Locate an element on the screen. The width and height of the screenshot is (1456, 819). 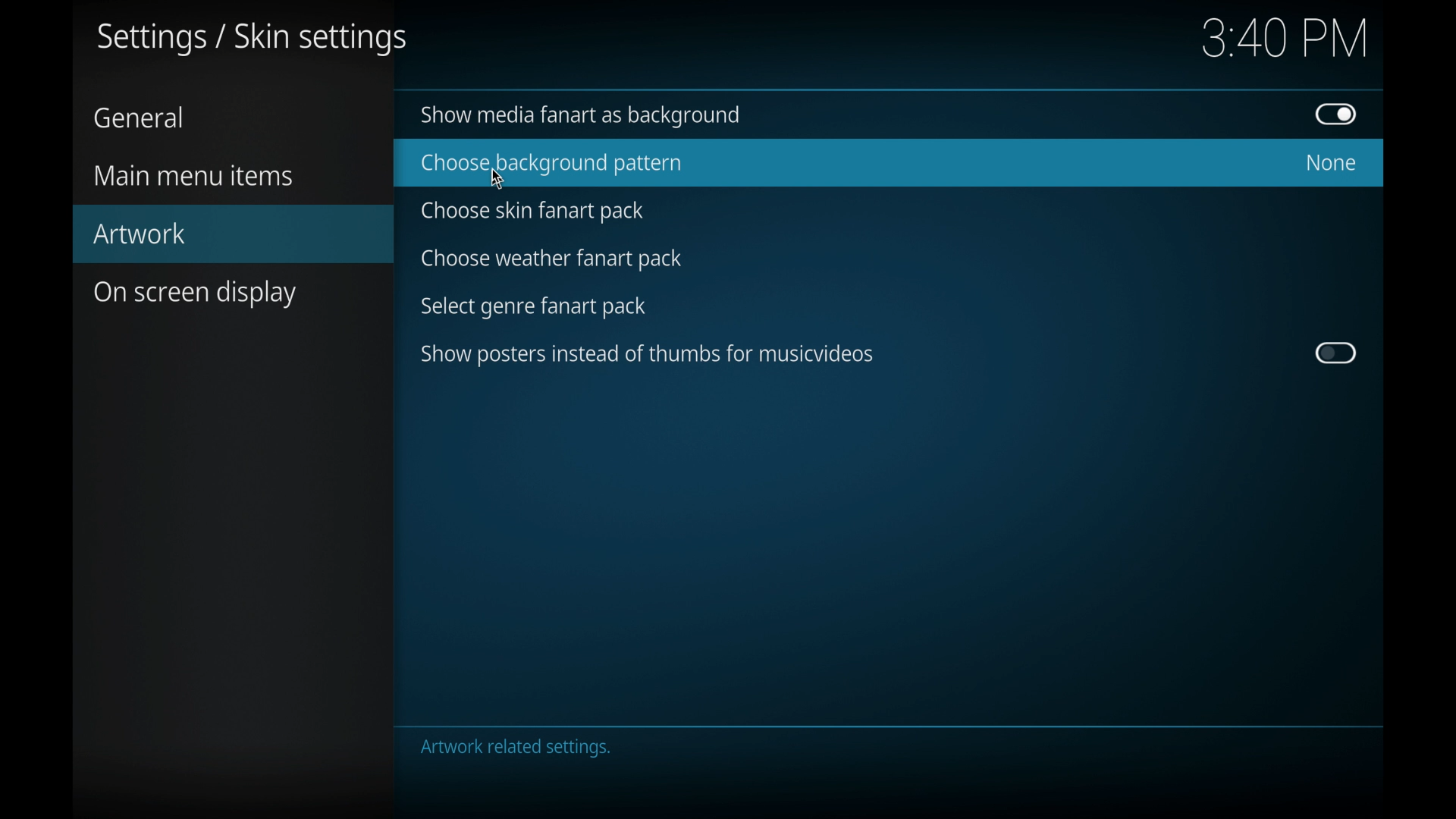
cursor is located at coordinates (497, 180).